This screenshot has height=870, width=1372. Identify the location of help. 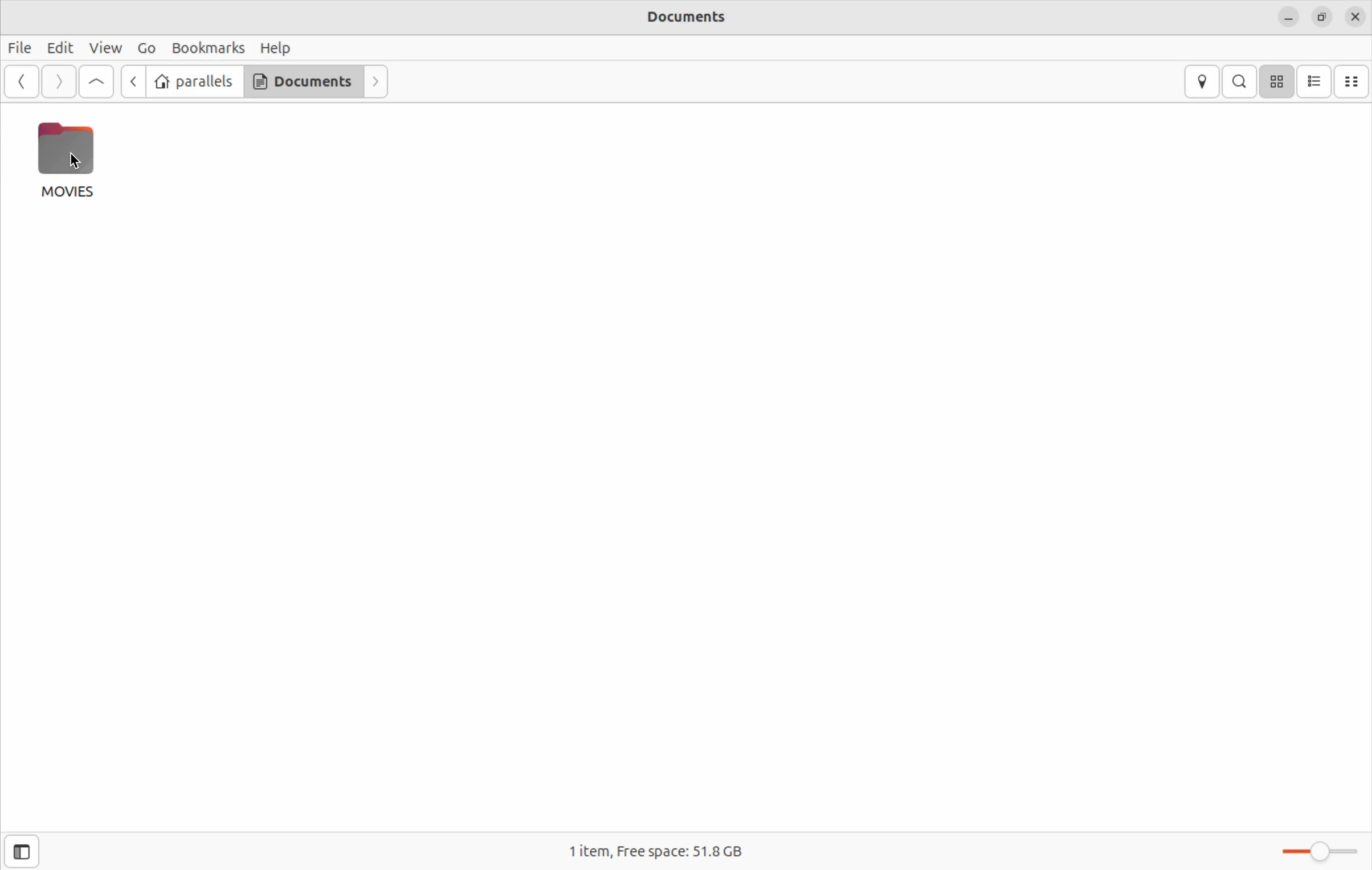
(276, 47).